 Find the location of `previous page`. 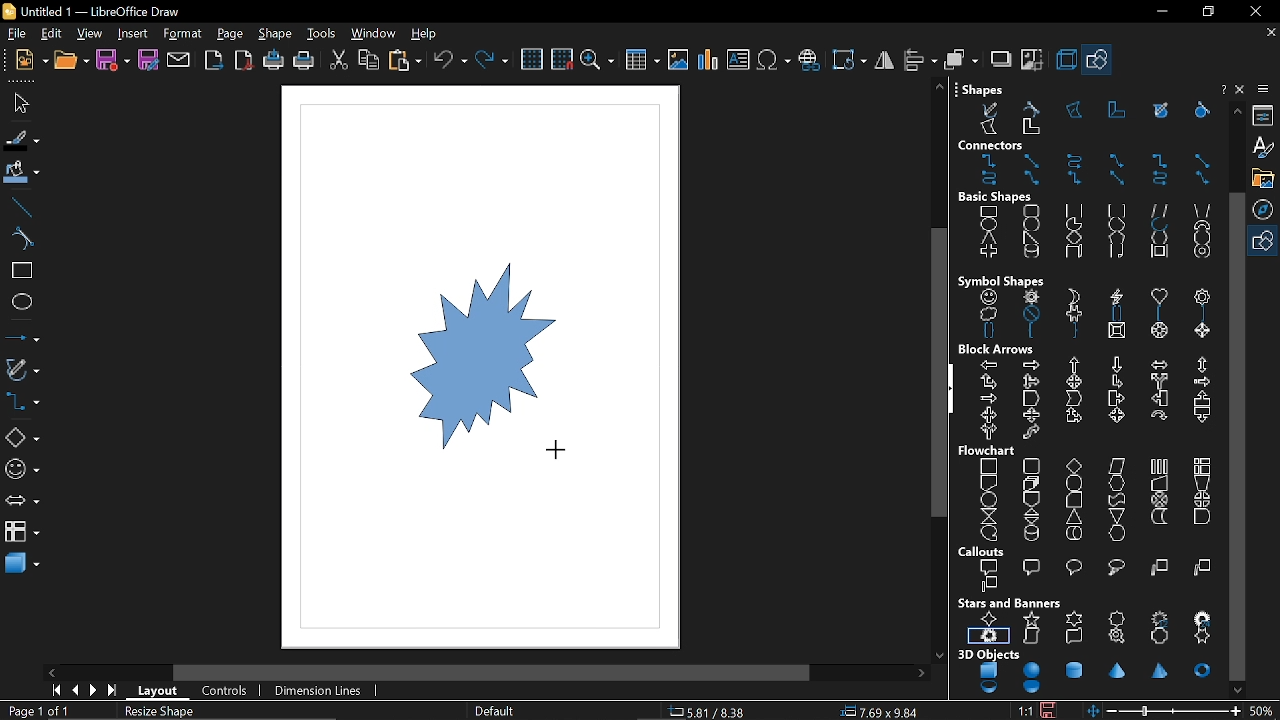

previous page is located at coordinates (75, 691).